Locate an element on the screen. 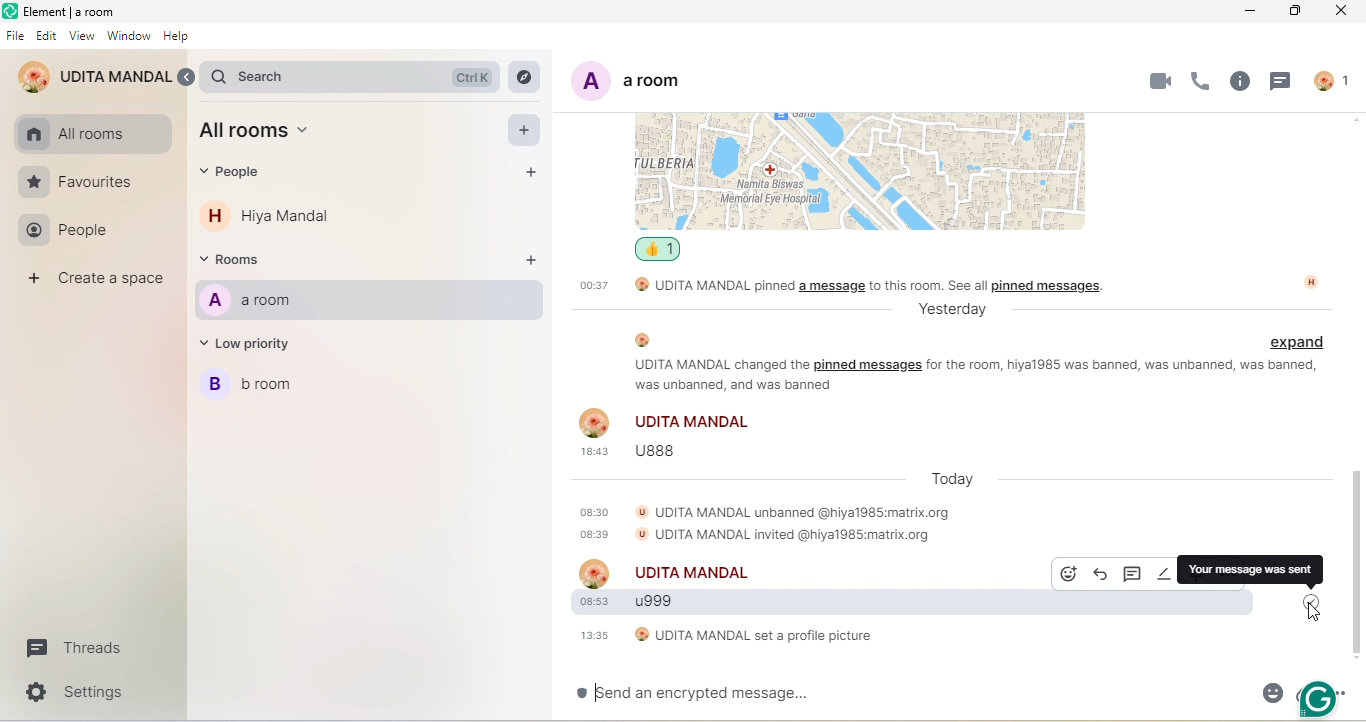 The width and height of the screenshot is (1366, 722). View is located at coordinates (83, 37).